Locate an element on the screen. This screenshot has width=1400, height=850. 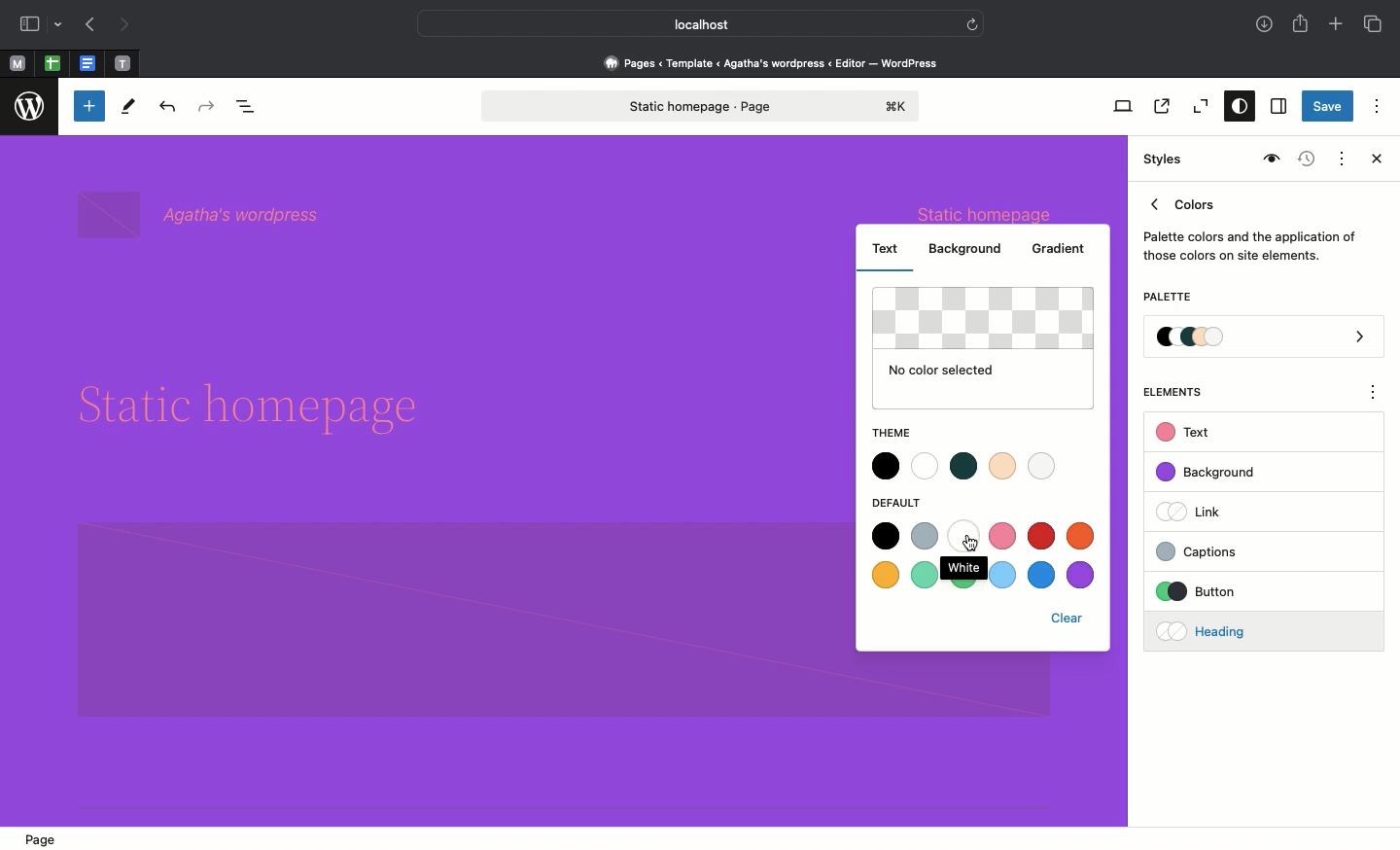
Save is located at coordinates (1328, 108).